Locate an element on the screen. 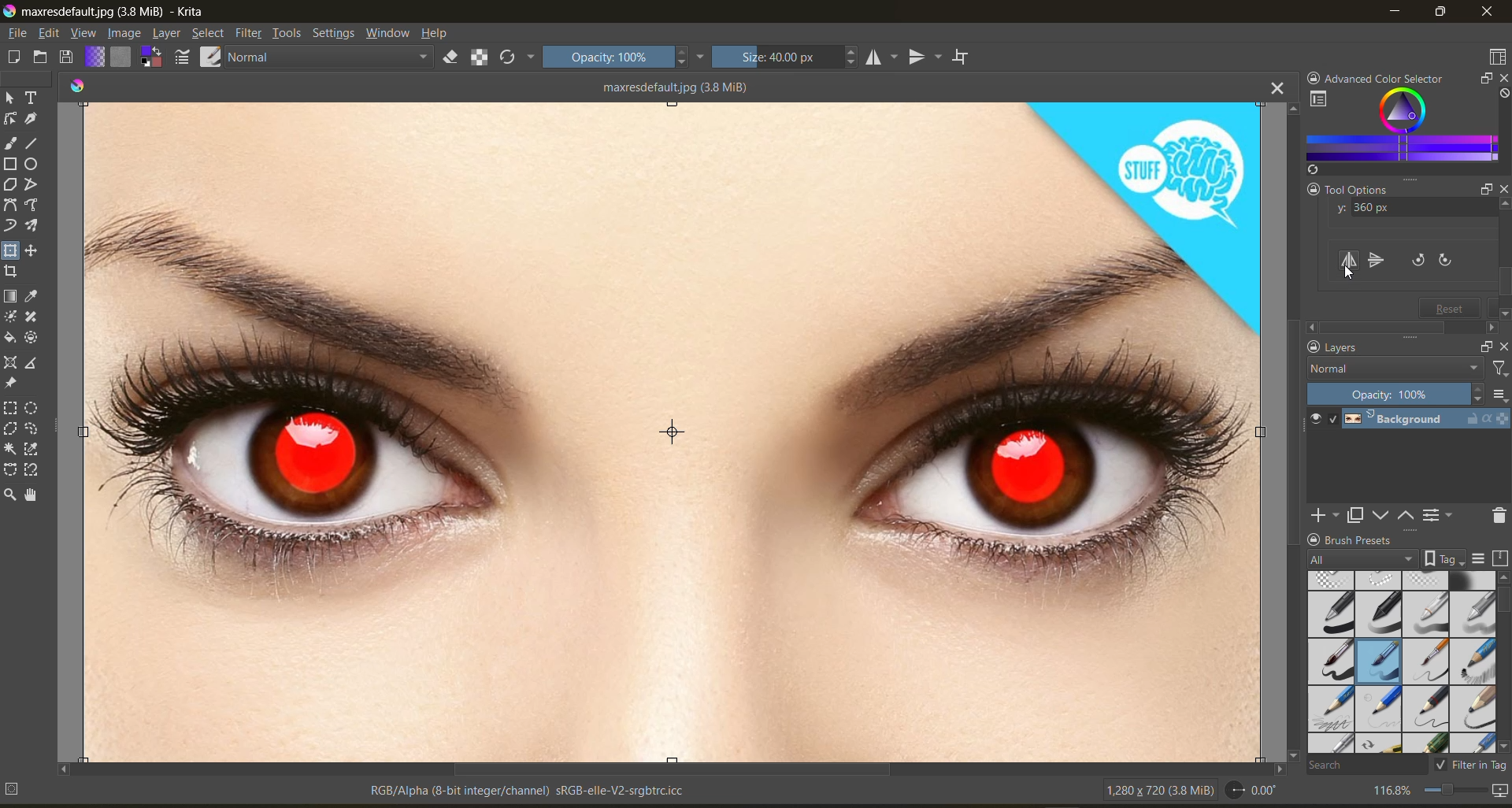 Image resolution: width=1512 pixels, height=808 pixels. filters is located at coordinates (250, 34).